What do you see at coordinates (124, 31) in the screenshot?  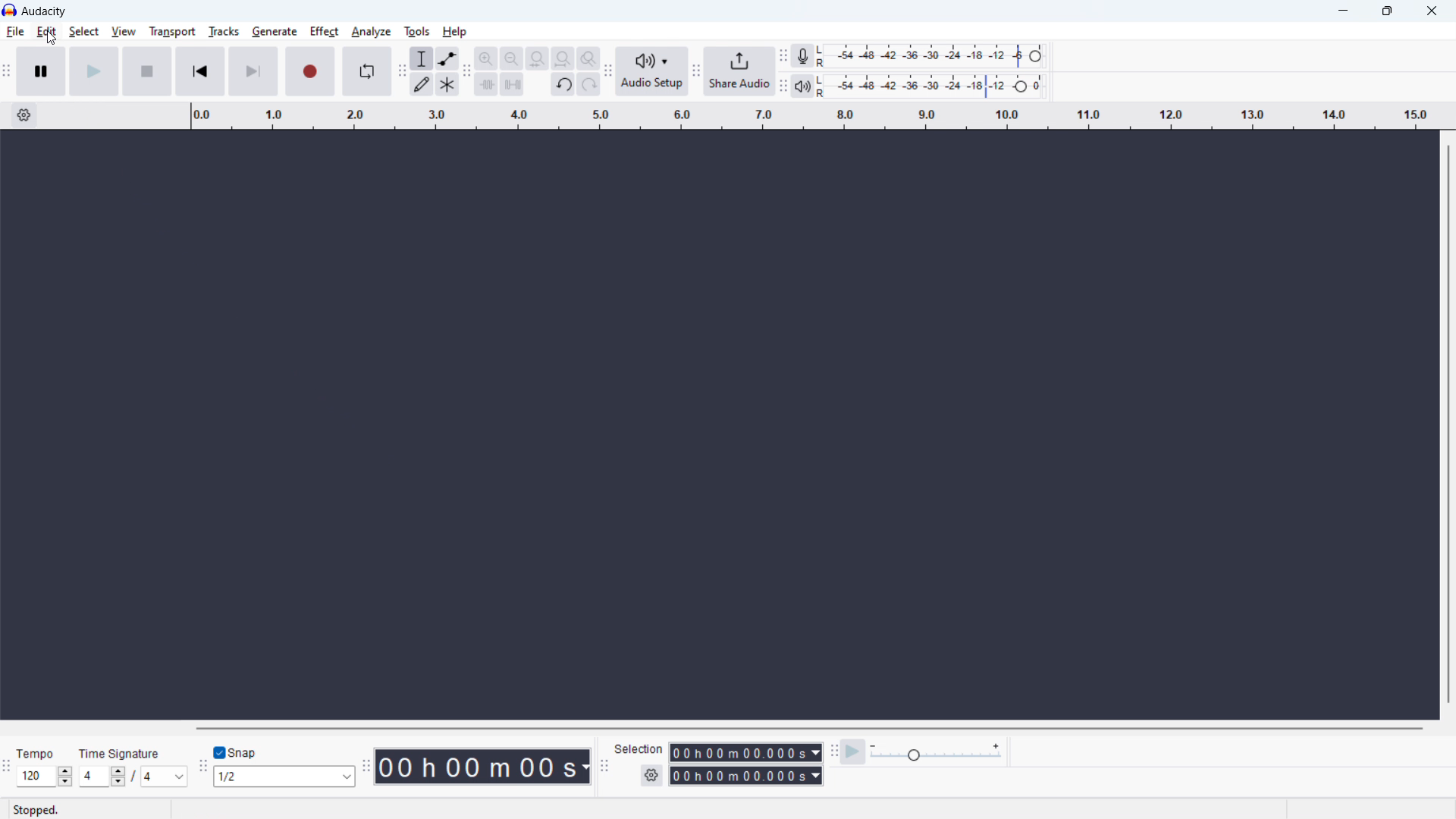 I see `view` at bounding box center [124, 31].